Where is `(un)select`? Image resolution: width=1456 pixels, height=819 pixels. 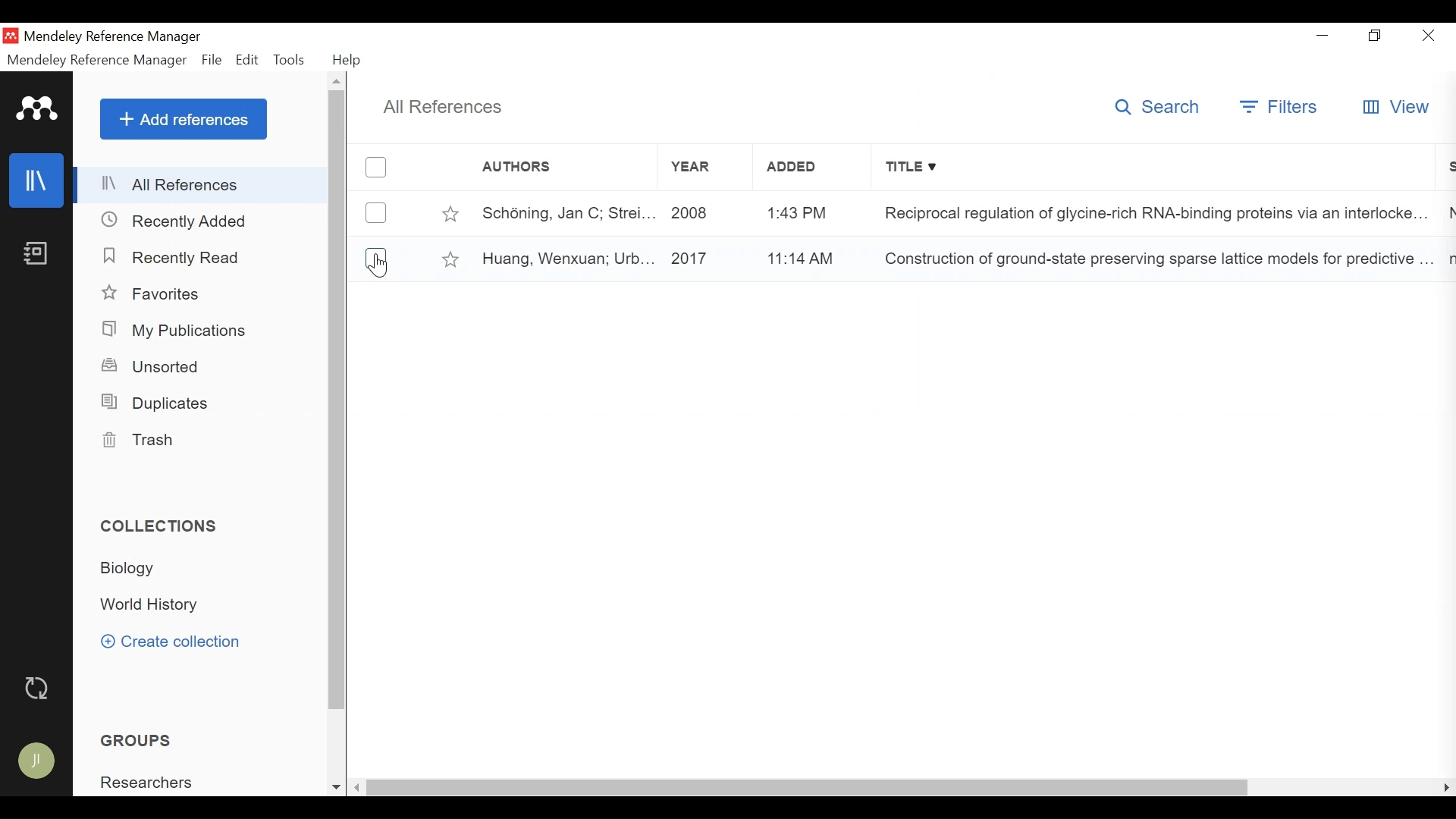 (un)select is located at coordinates (381, 254).